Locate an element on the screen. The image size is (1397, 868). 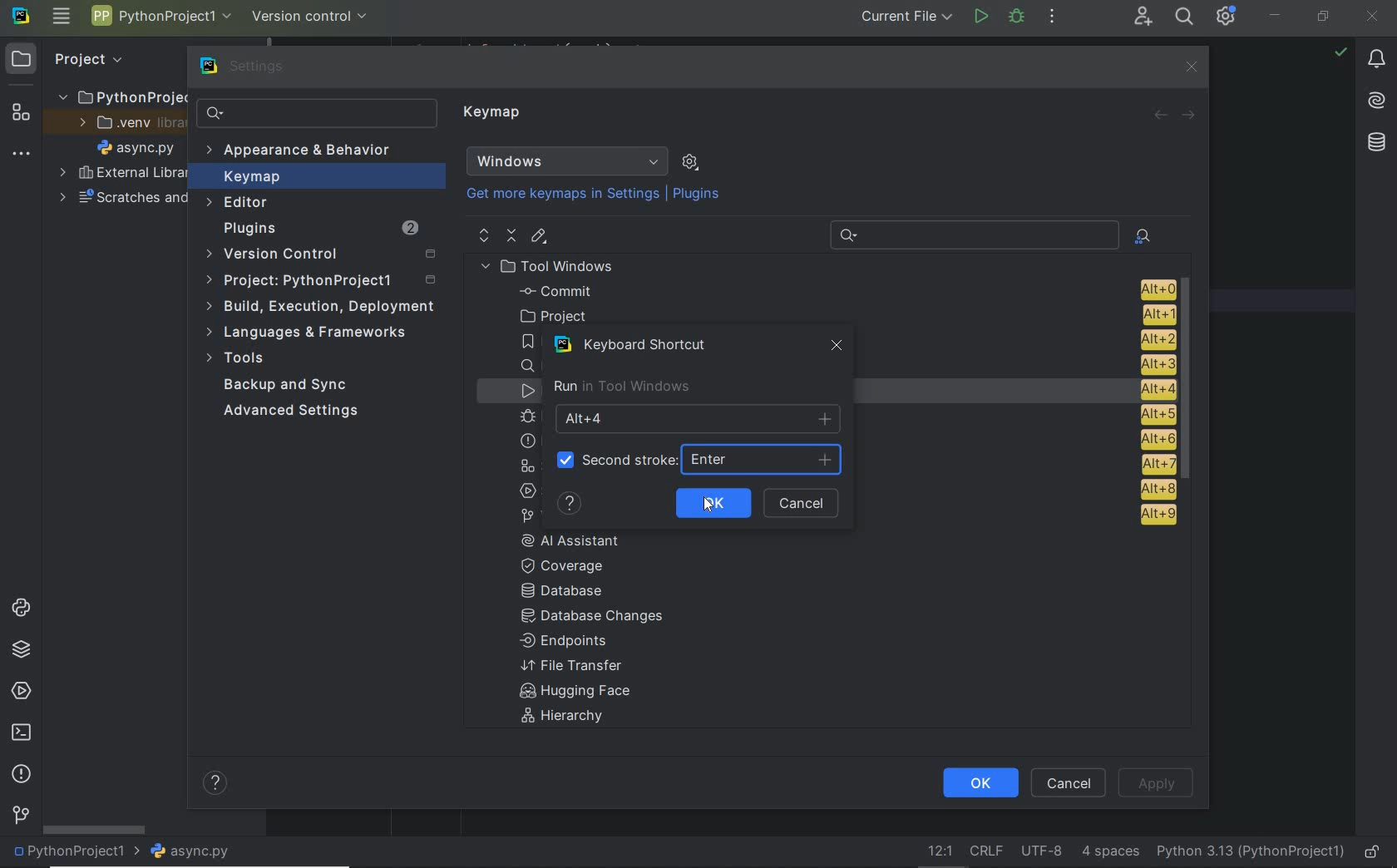
alt +3 is located at coordinates (1153, 363).